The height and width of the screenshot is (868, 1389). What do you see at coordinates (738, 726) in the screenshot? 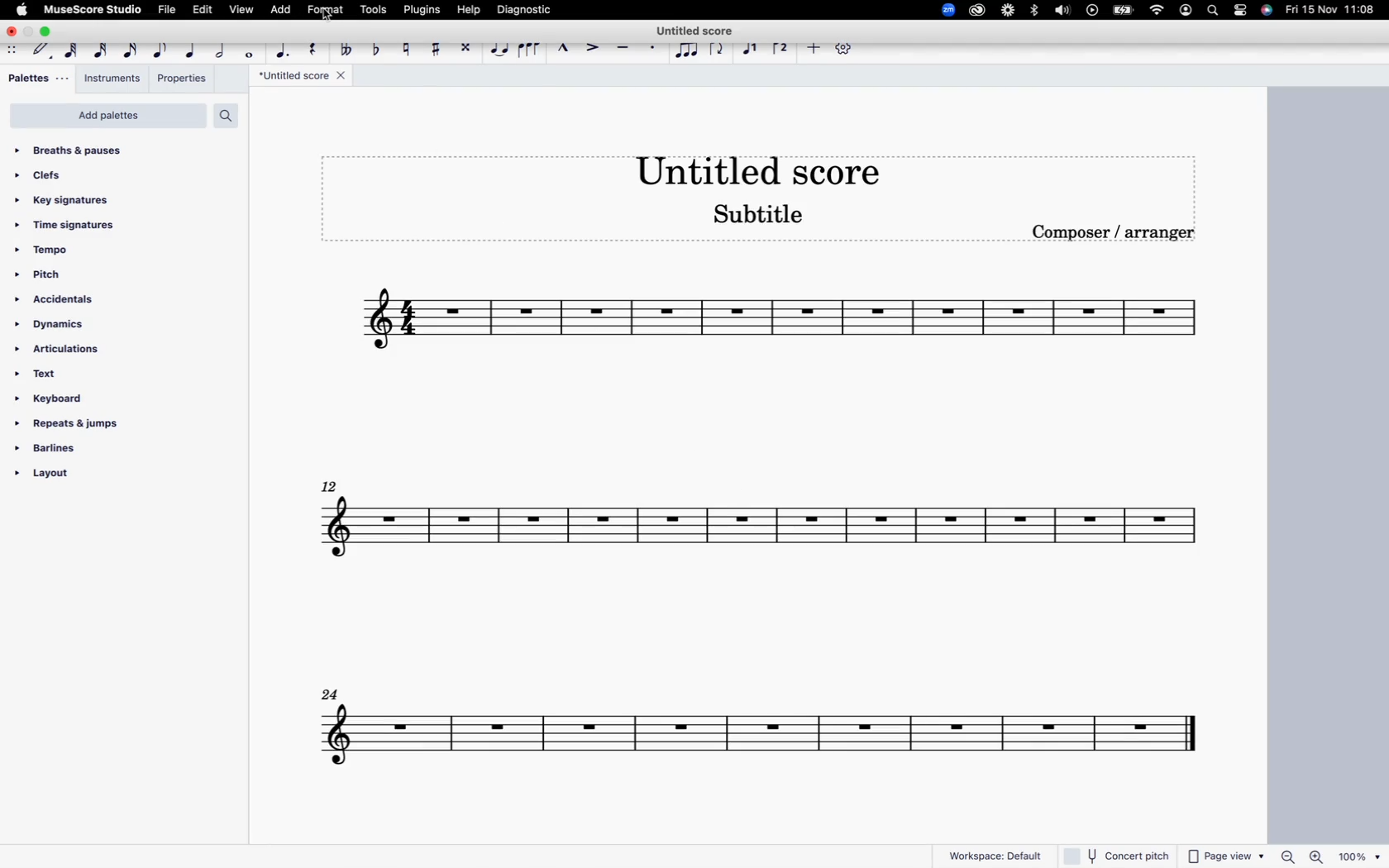
I see `score` at bounding box center [738, 726].